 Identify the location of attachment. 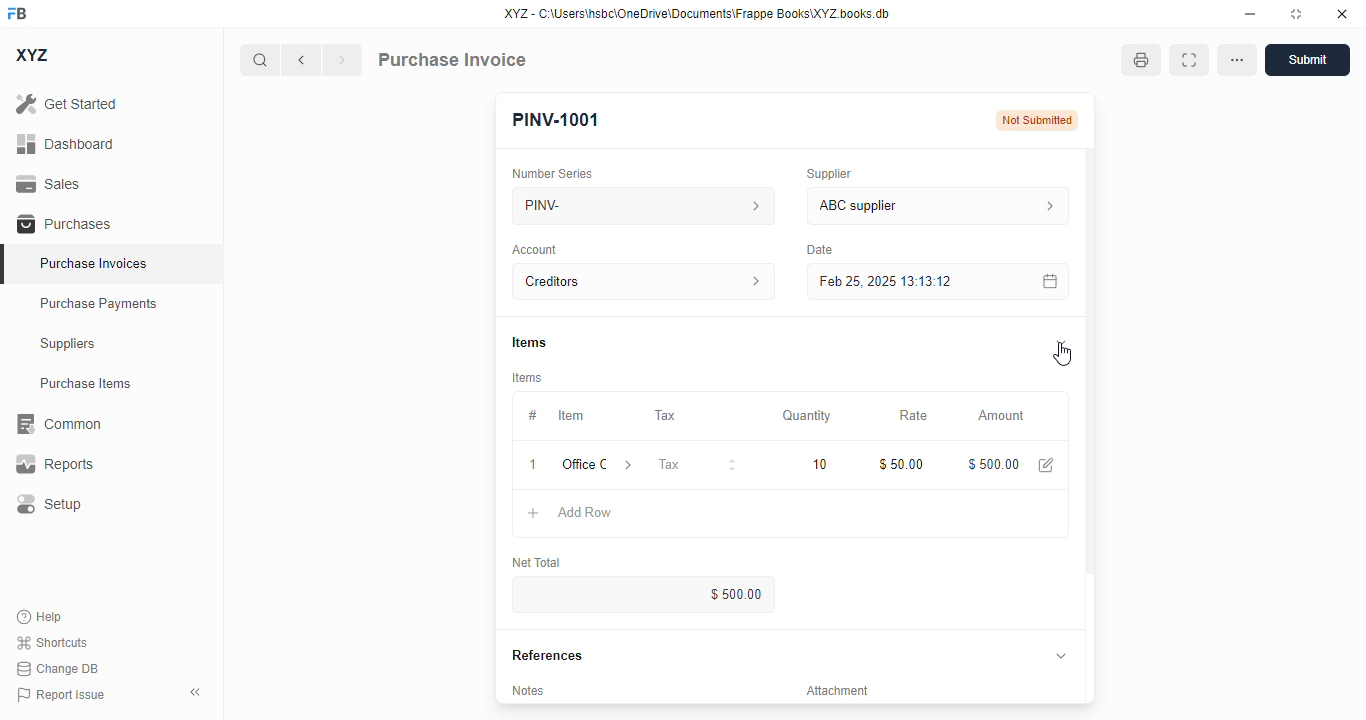
(838, 692).